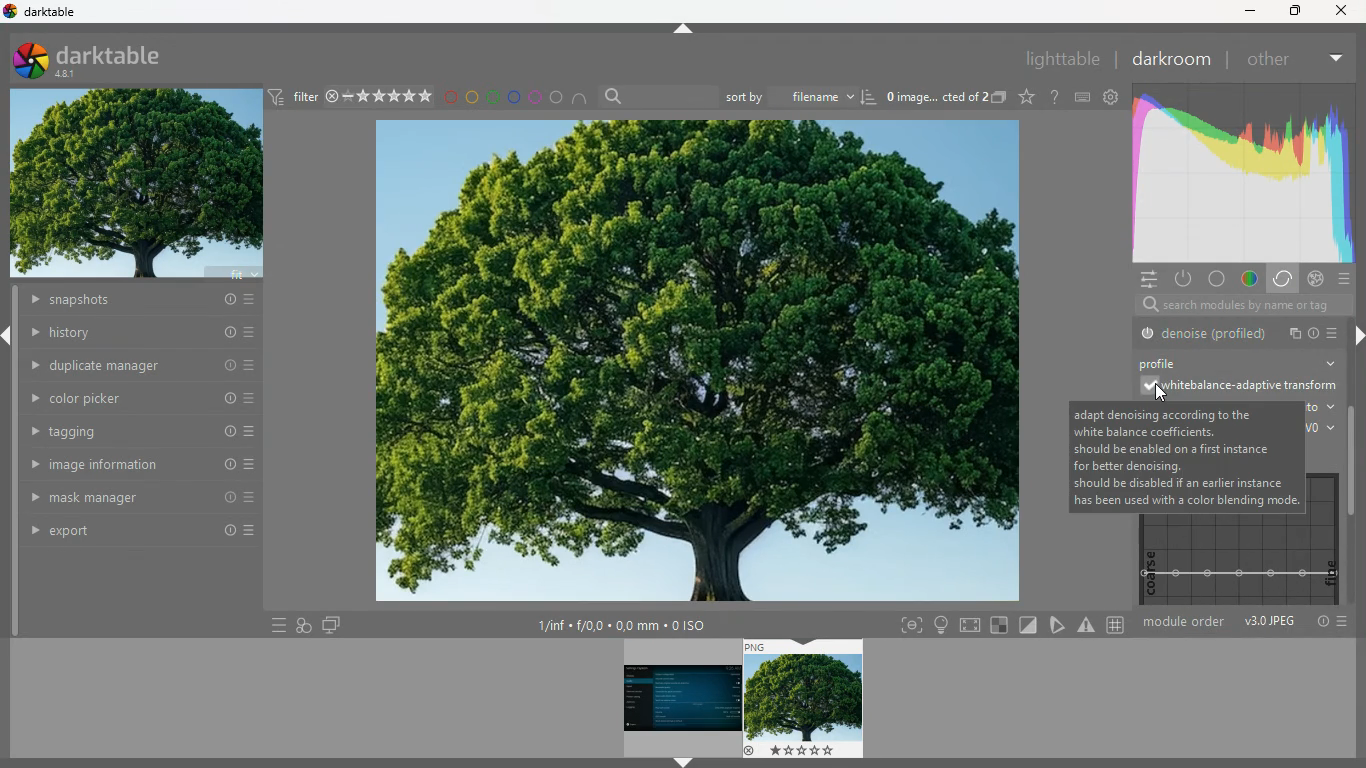 This screenshot has width=1366, height=768. Describe the element at coordinates (1250, 280) in the screenshot. I see `color` at that location.